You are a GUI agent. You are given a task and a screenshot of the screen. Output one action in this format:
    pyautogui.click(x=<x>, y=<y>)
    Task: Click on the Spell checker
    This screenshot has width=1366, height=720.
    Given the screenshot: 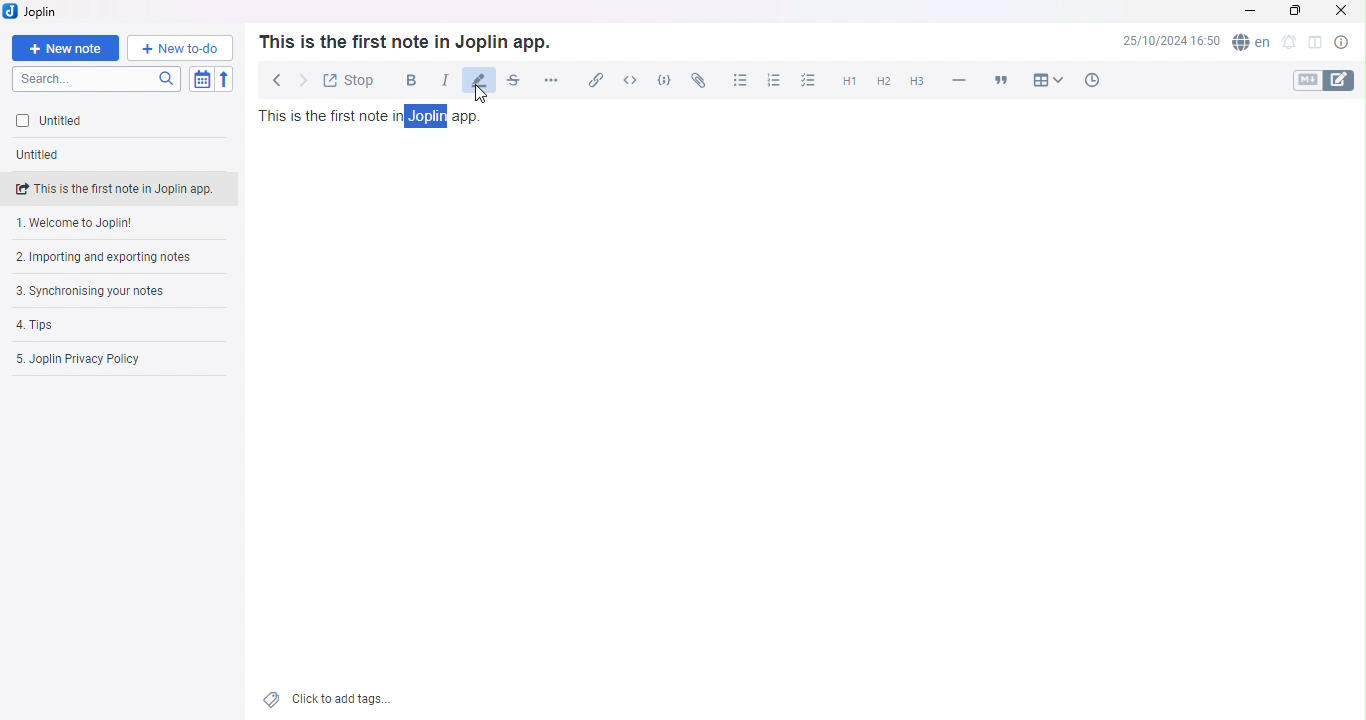 What is the action you would take?
    pyautogui.click(x=1250, y=45)
    